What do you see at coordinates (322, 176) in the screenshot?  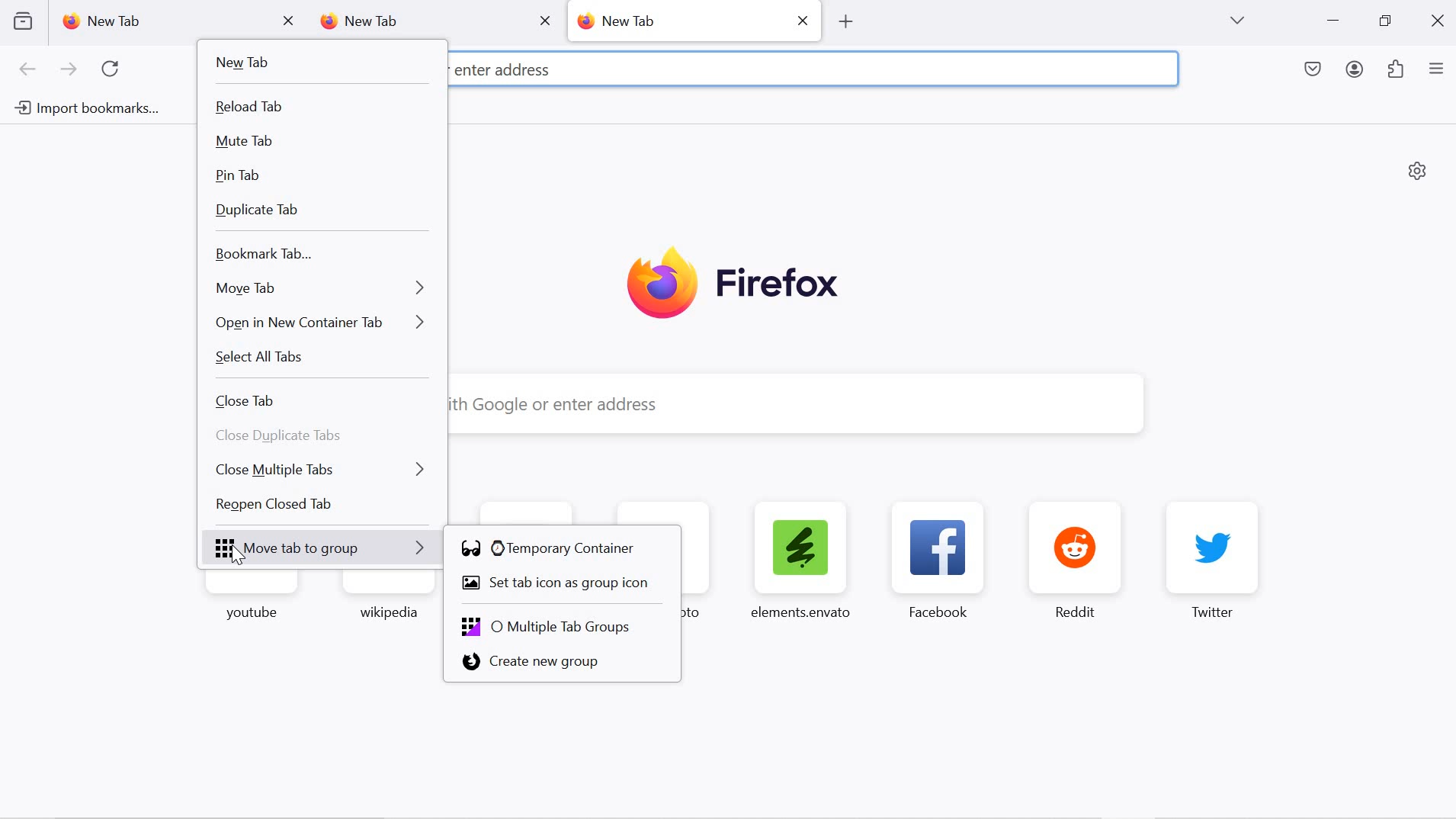 I see `pin tab` at bounding box center [322, 176].